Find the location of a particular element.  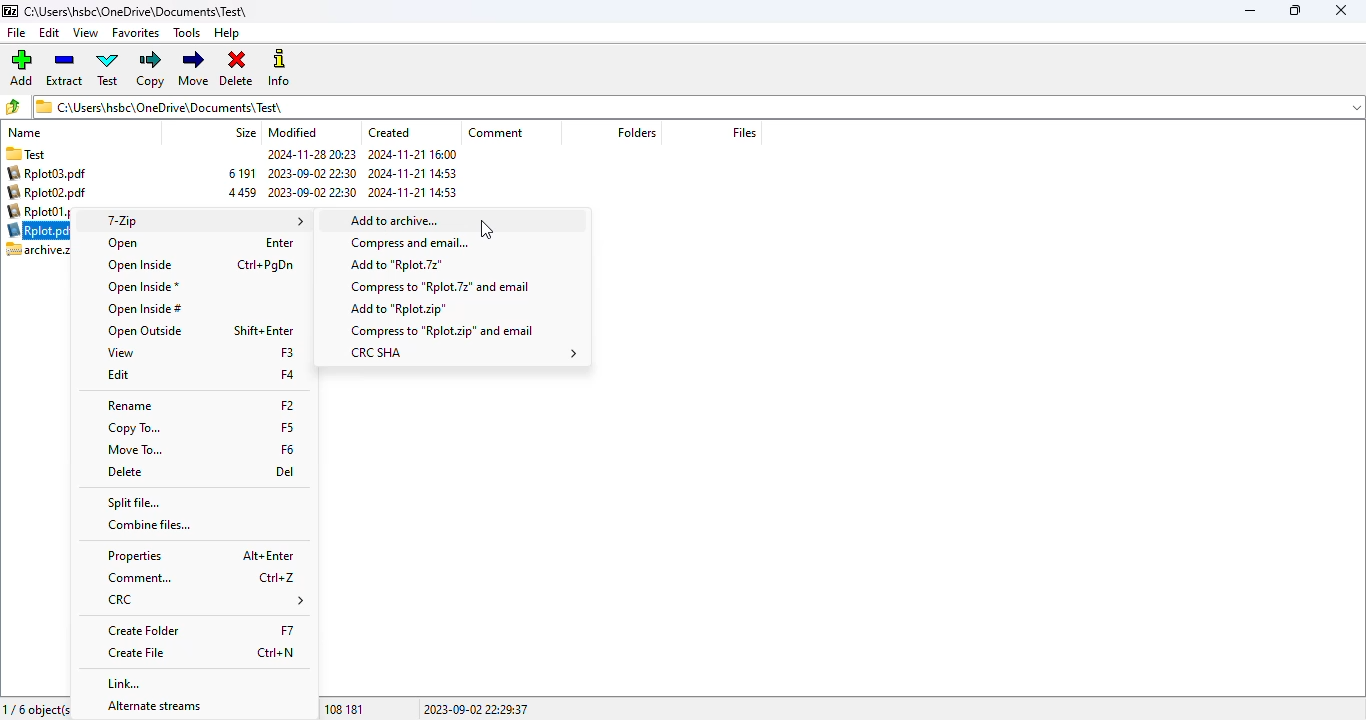

modified date and time is located at coordinates (312, 174).